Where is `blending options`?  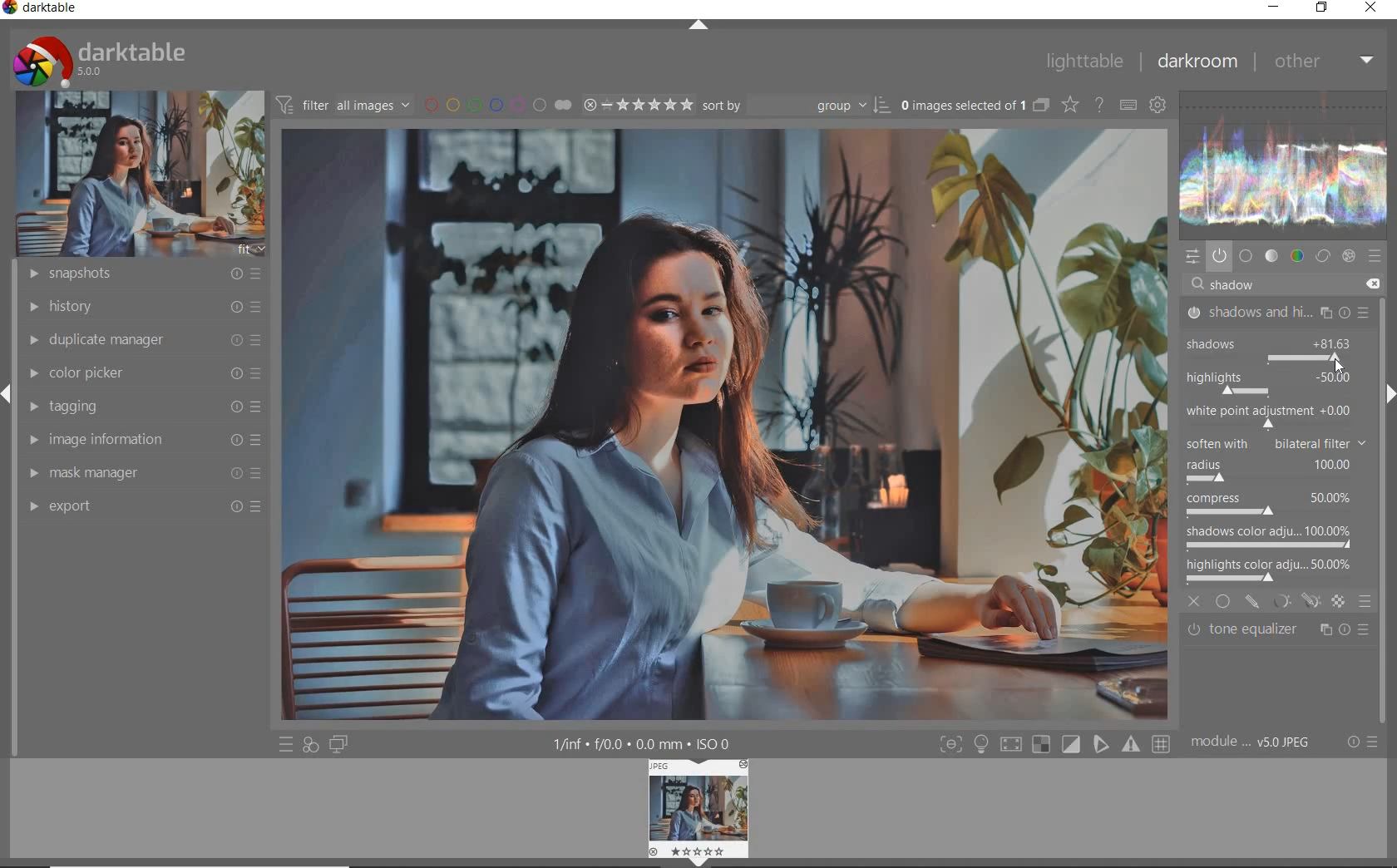
blending options is located at coordinates (1365, 601).